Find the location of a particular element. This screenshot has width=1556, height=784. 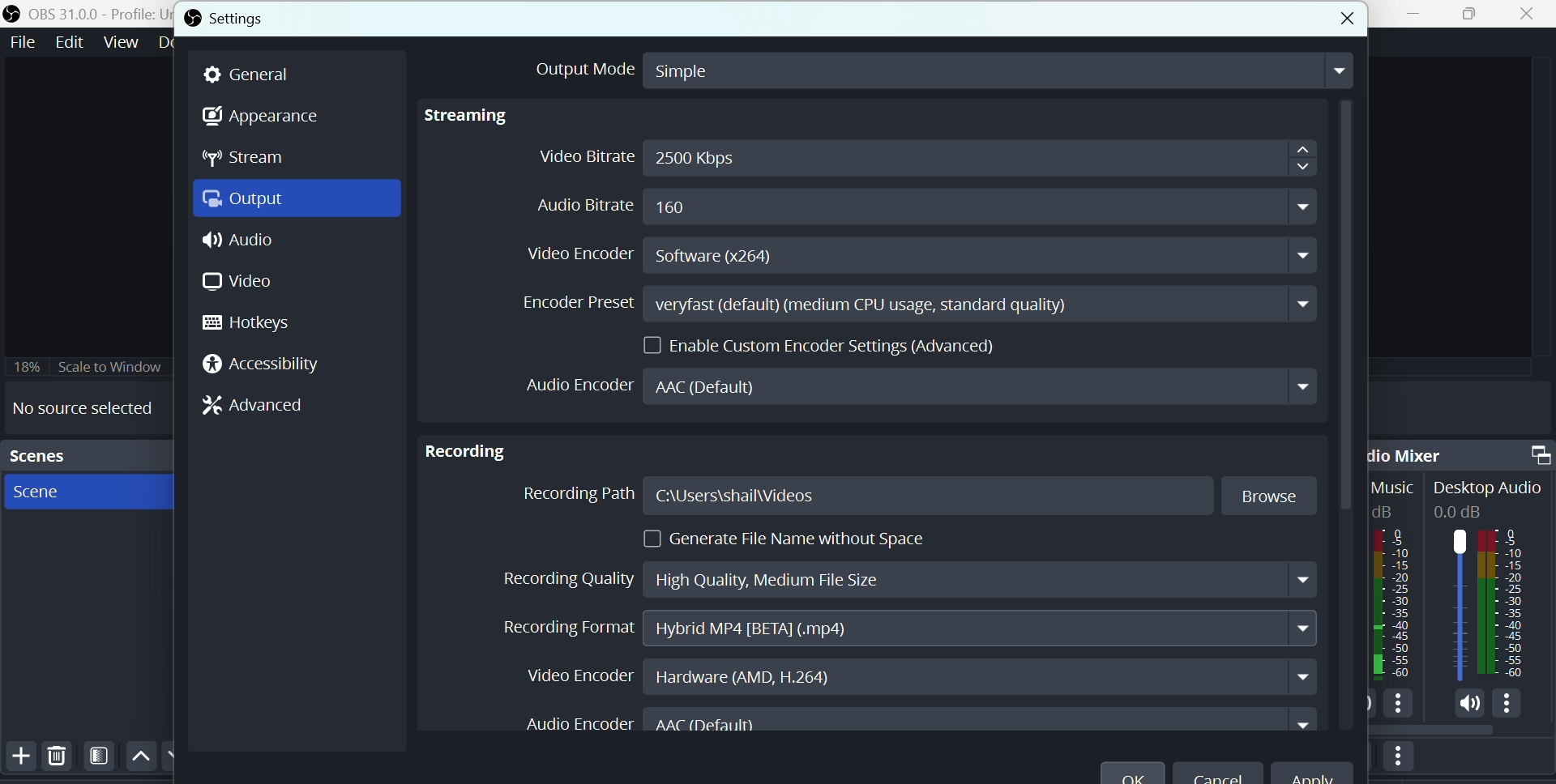

Video is located at coordinates (242, 283).